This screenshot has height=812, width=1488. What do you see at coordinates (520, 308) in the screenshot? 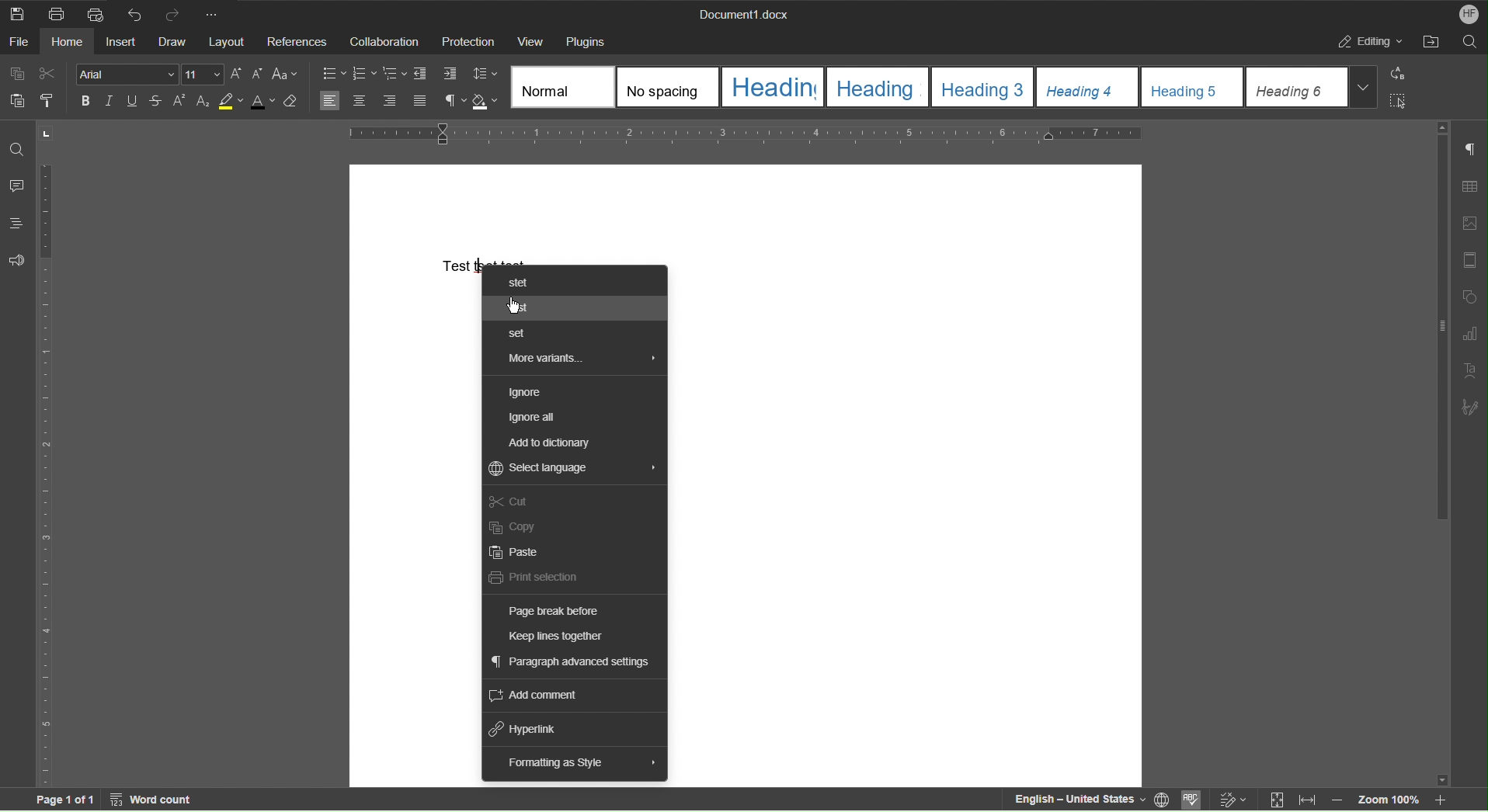
I see `Test` at bounding box center [520, 308].